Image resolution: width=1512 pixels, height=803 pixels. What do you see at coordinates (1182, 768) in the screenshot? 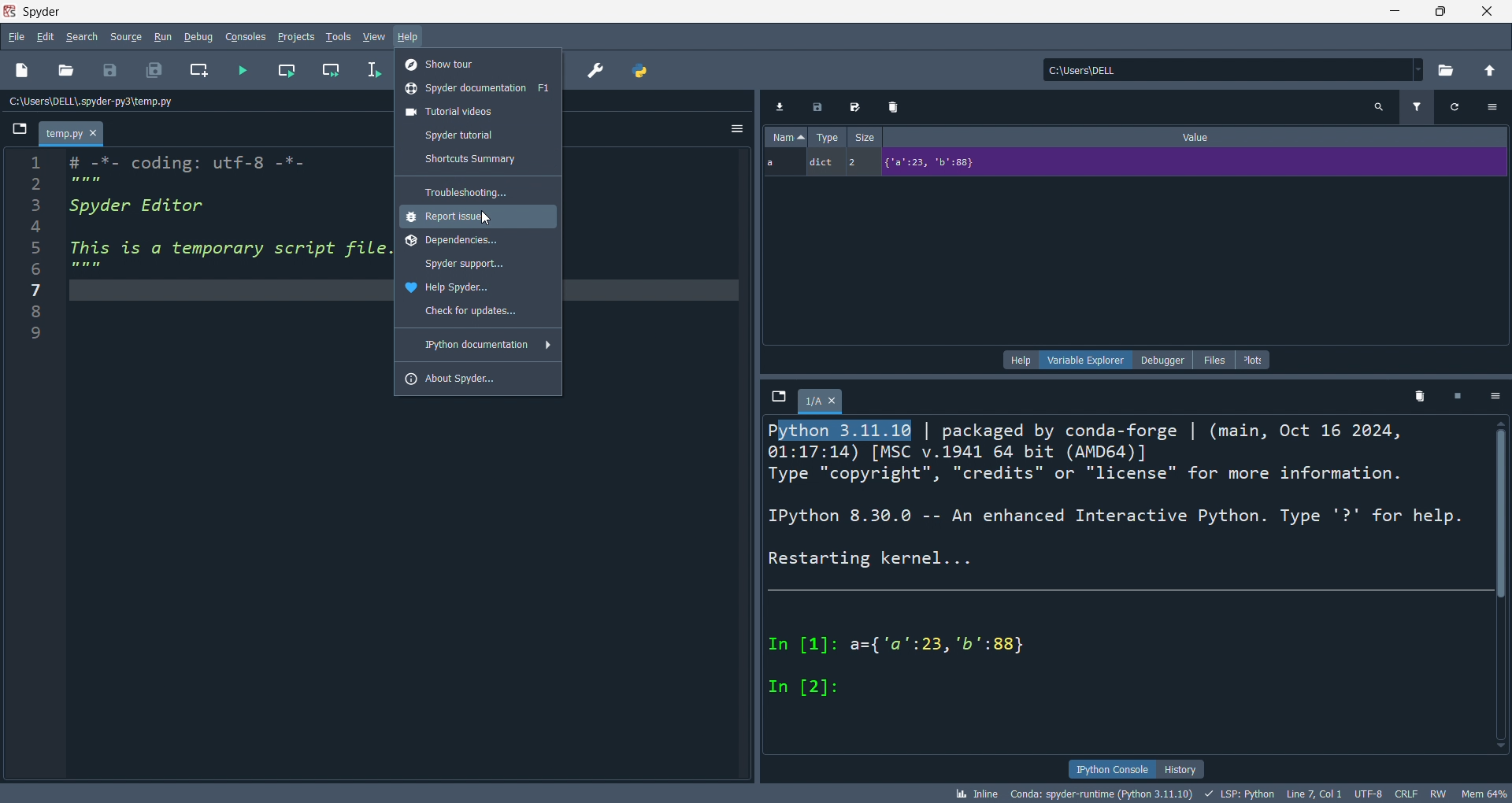
I see `history` at bounding box center [1182, 768].